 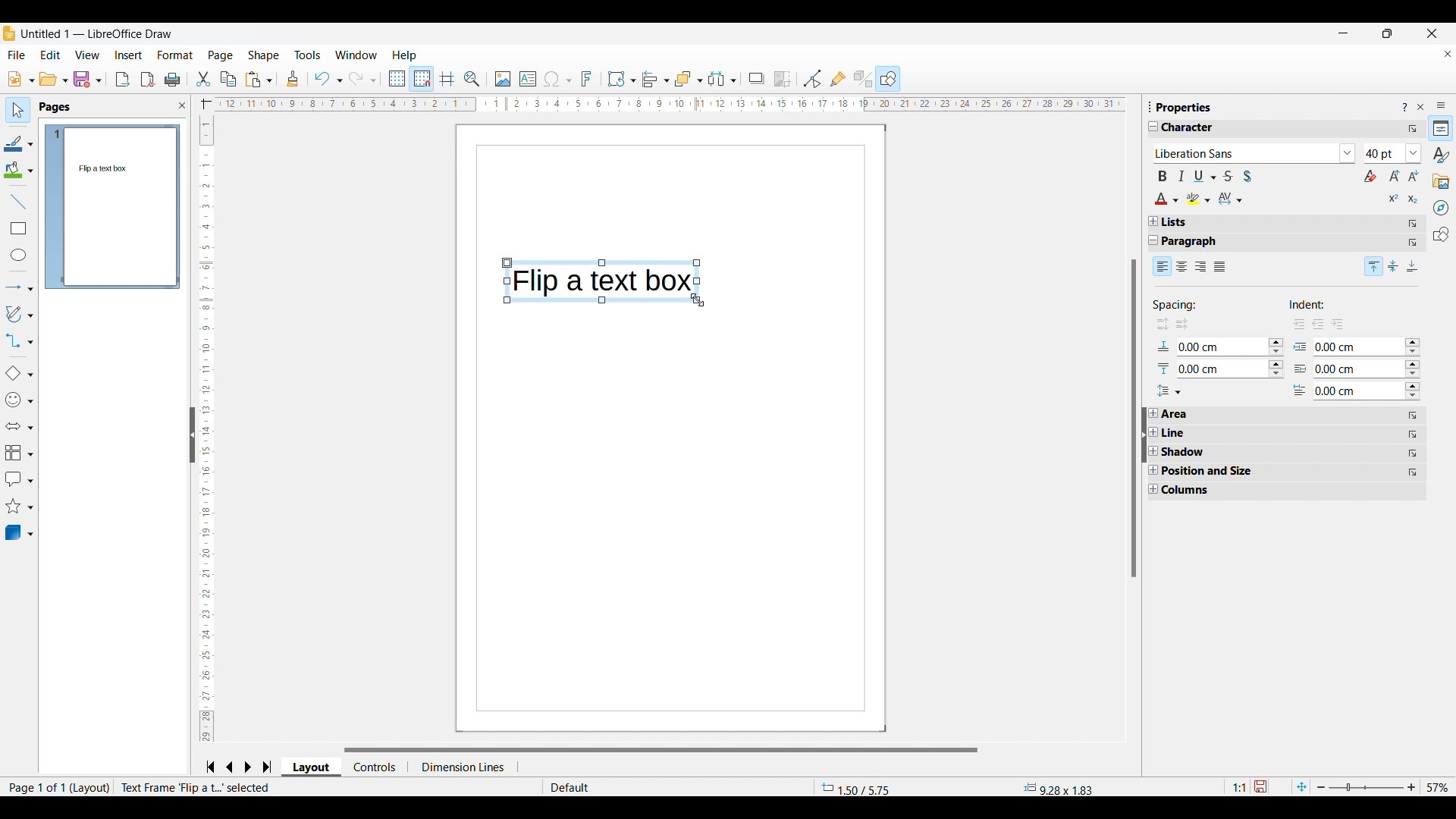 I want to click on Left alignment, so click(x=1163, y=265).